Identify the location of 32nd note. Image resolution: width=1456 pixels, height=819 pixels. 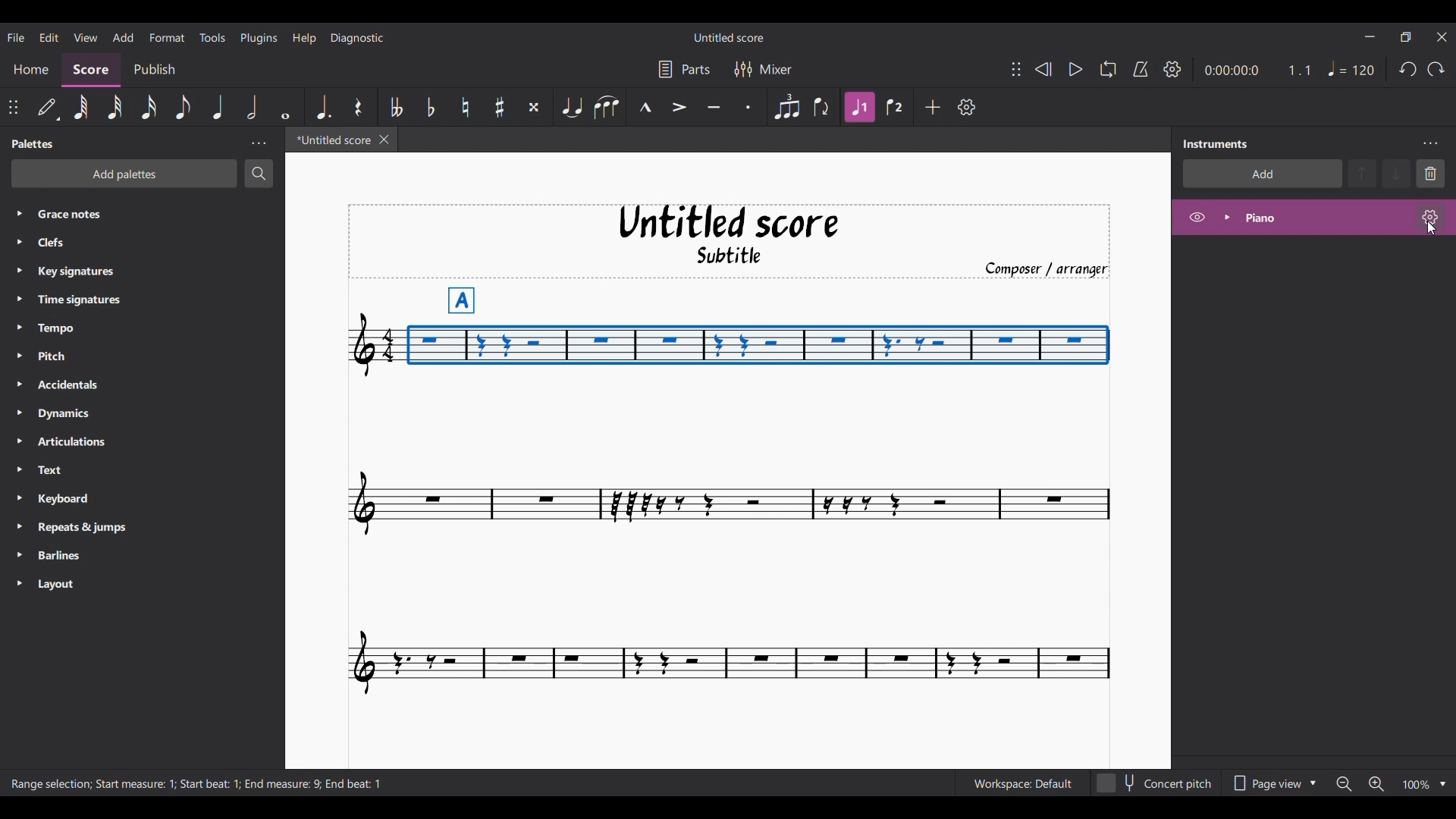
(113, 107).